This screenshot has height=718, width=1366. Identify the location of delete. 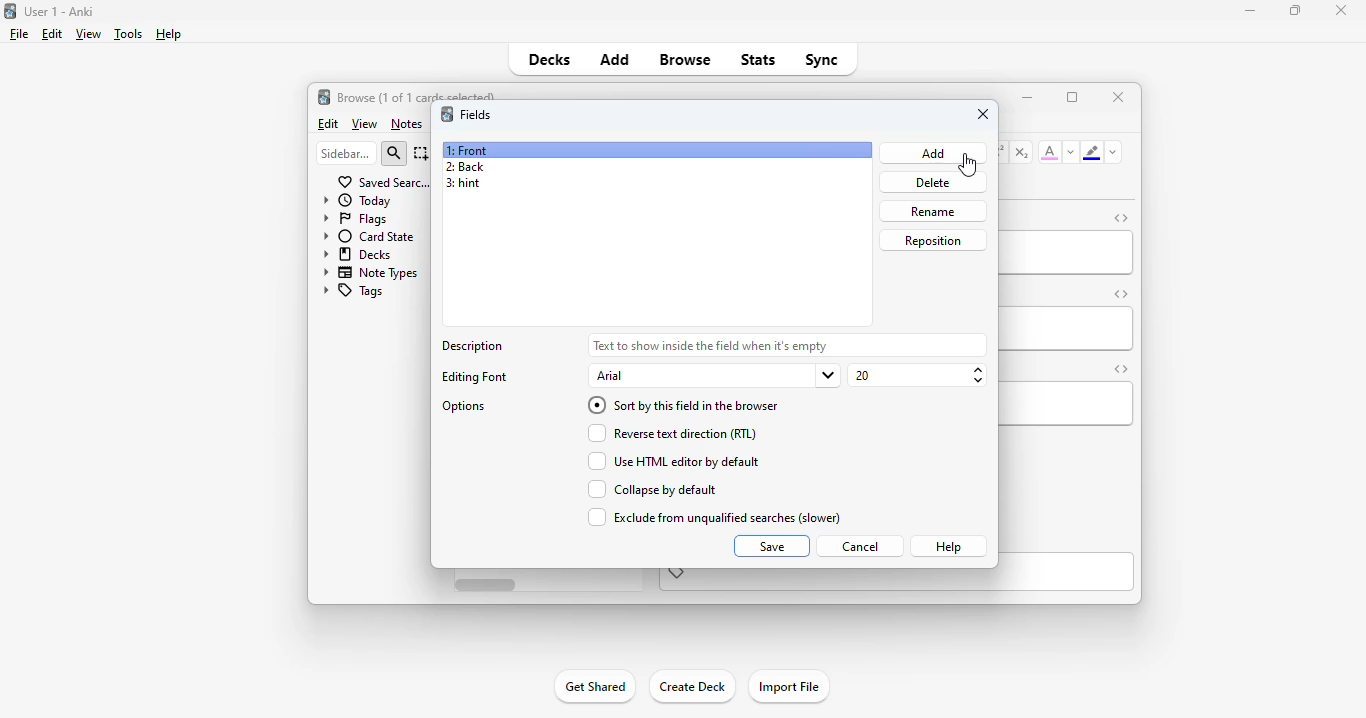
(933, 183).